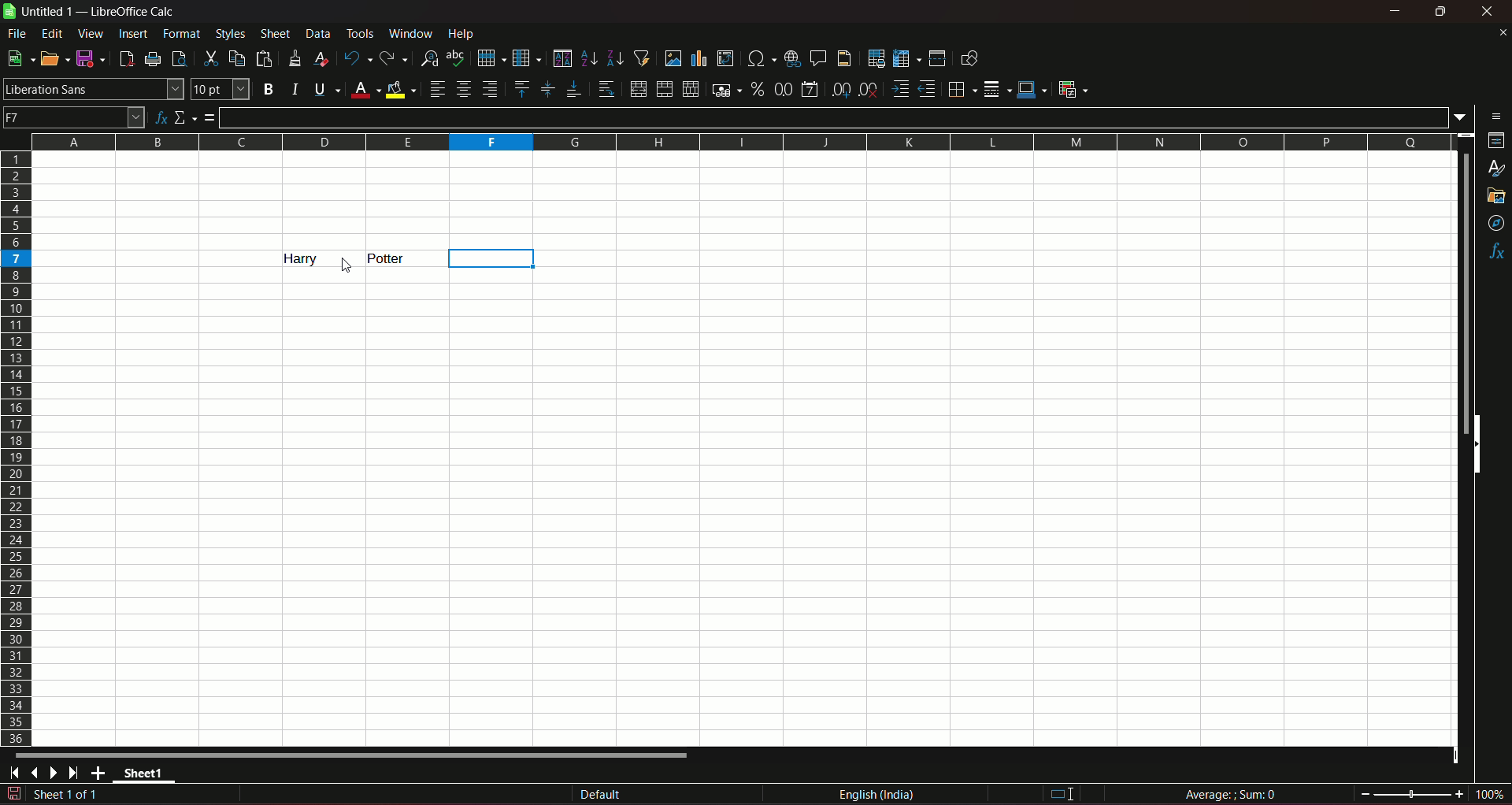 This screenshot has width=1512, height=805. Describe the element at coordinates (969, 57) in the screenshot. I see `show draw functions` at that location.